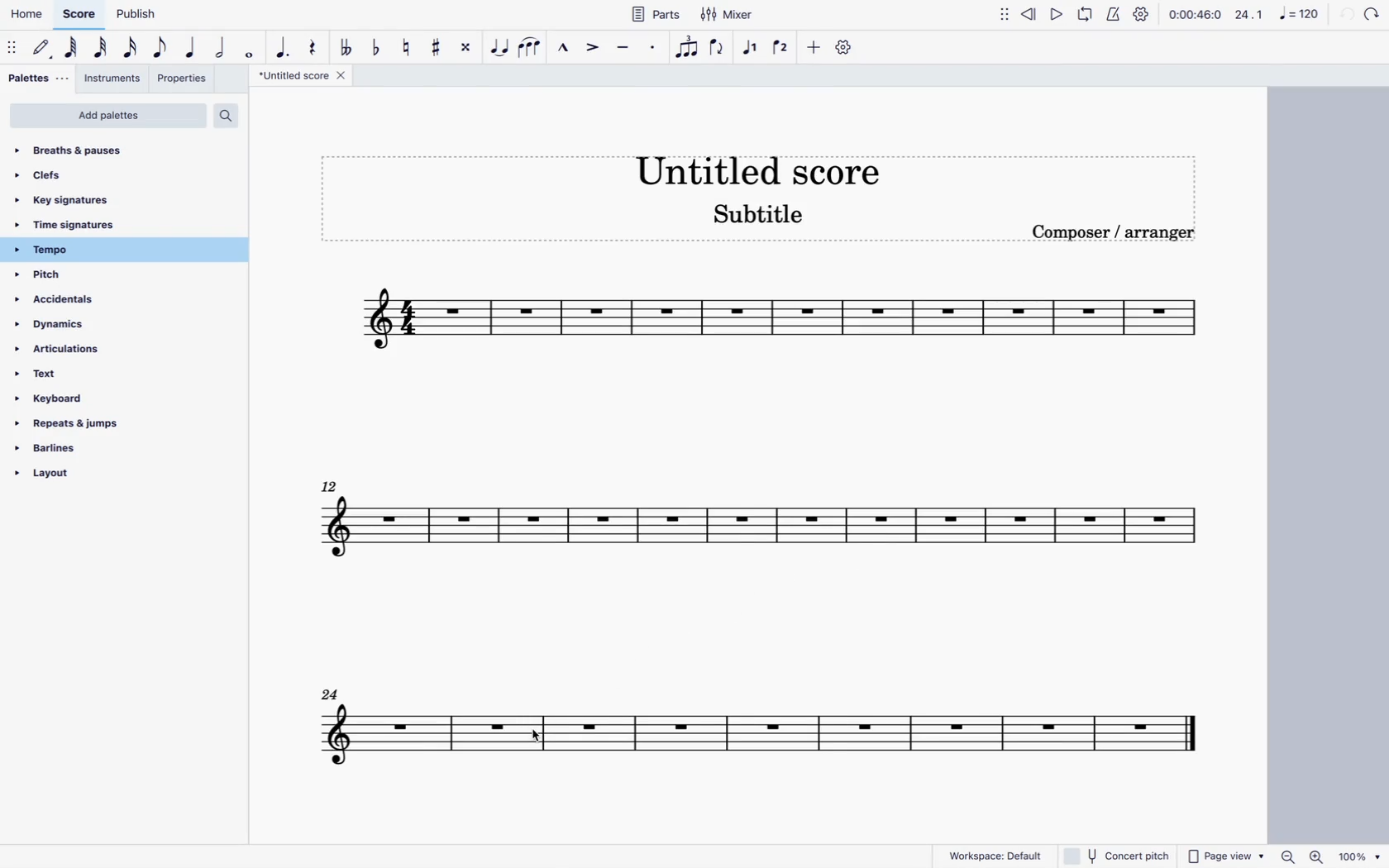 The width and height of the screenshot is (1389, 868). I want to click on accidentals, so click(64, 301).